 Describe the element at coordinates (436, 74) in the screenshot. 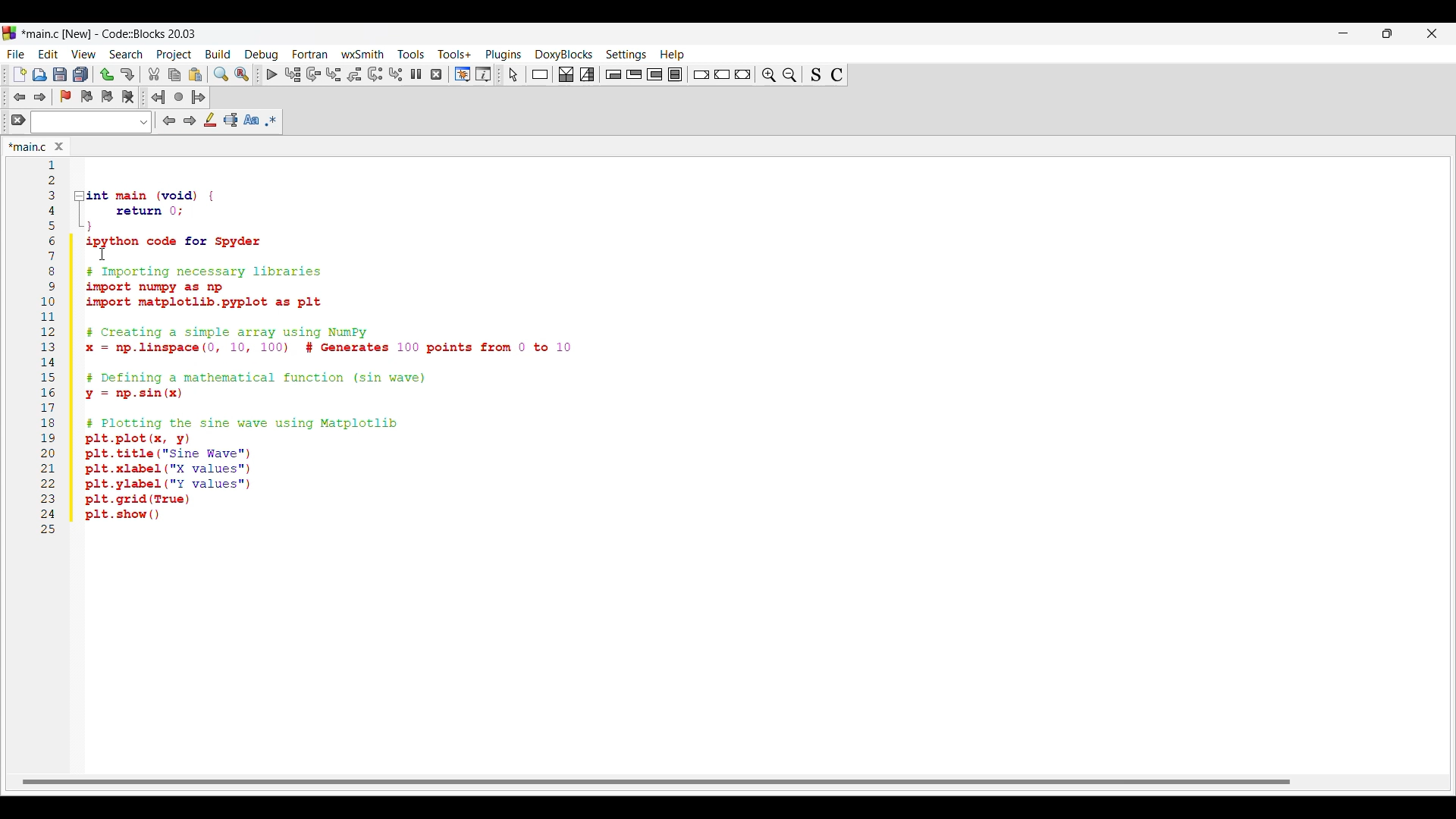

I see `Stop debugger` at that location.